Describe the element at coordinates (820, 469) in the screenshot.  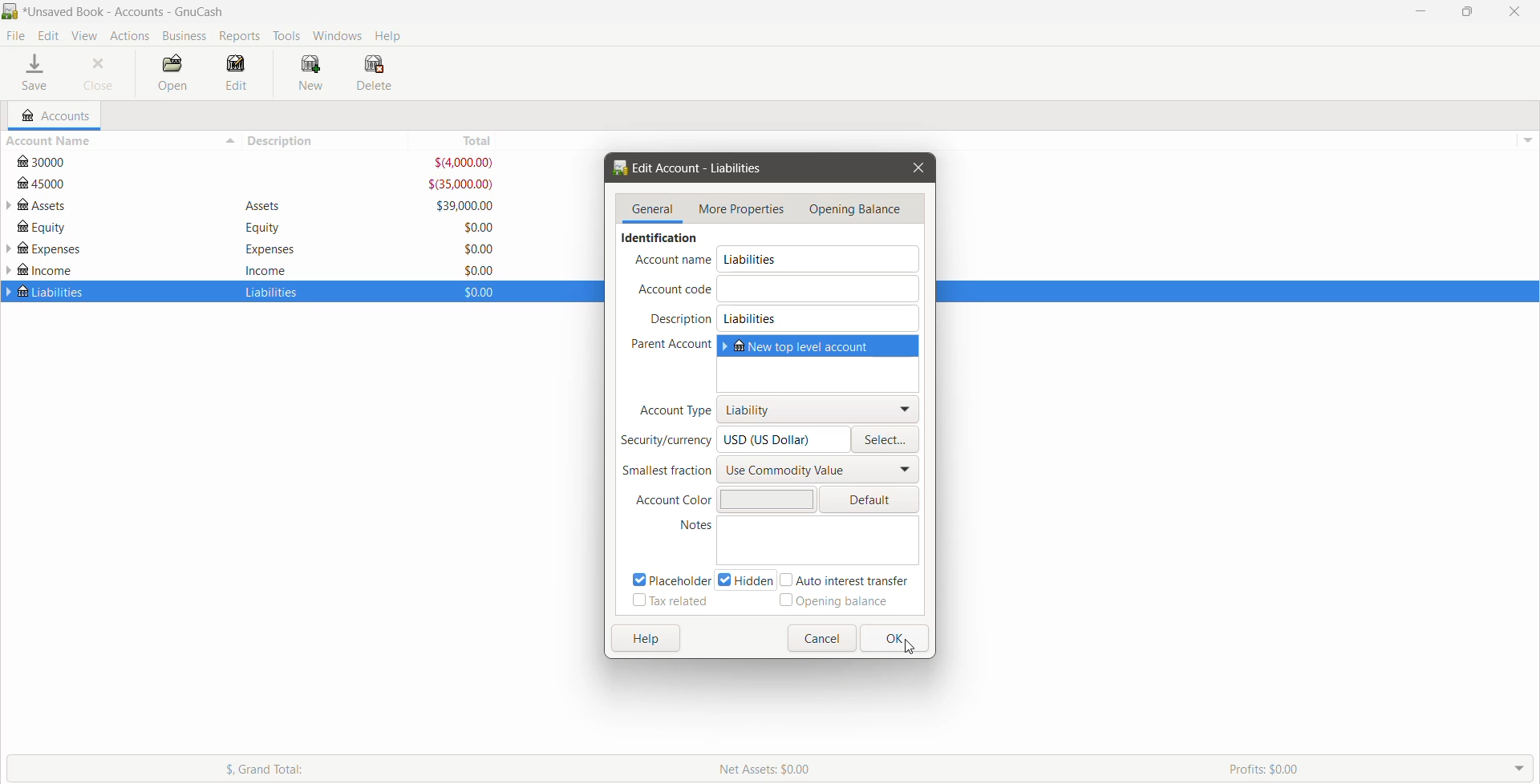
I see `Set the required value for smallest fraction` at that location.